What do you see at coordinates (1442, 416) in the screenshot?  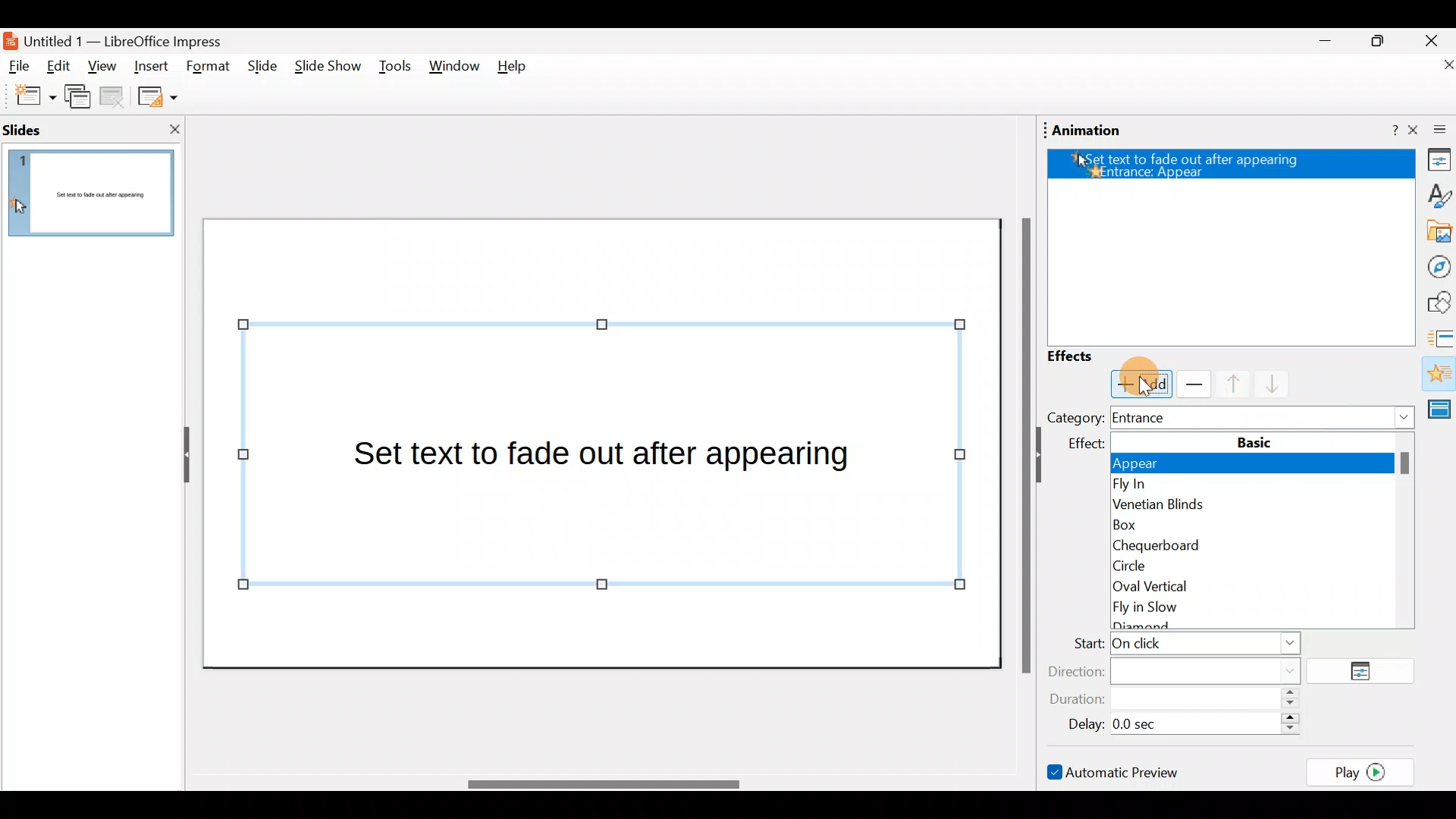 I see `Master slides` at bounding box center [1442, 416].